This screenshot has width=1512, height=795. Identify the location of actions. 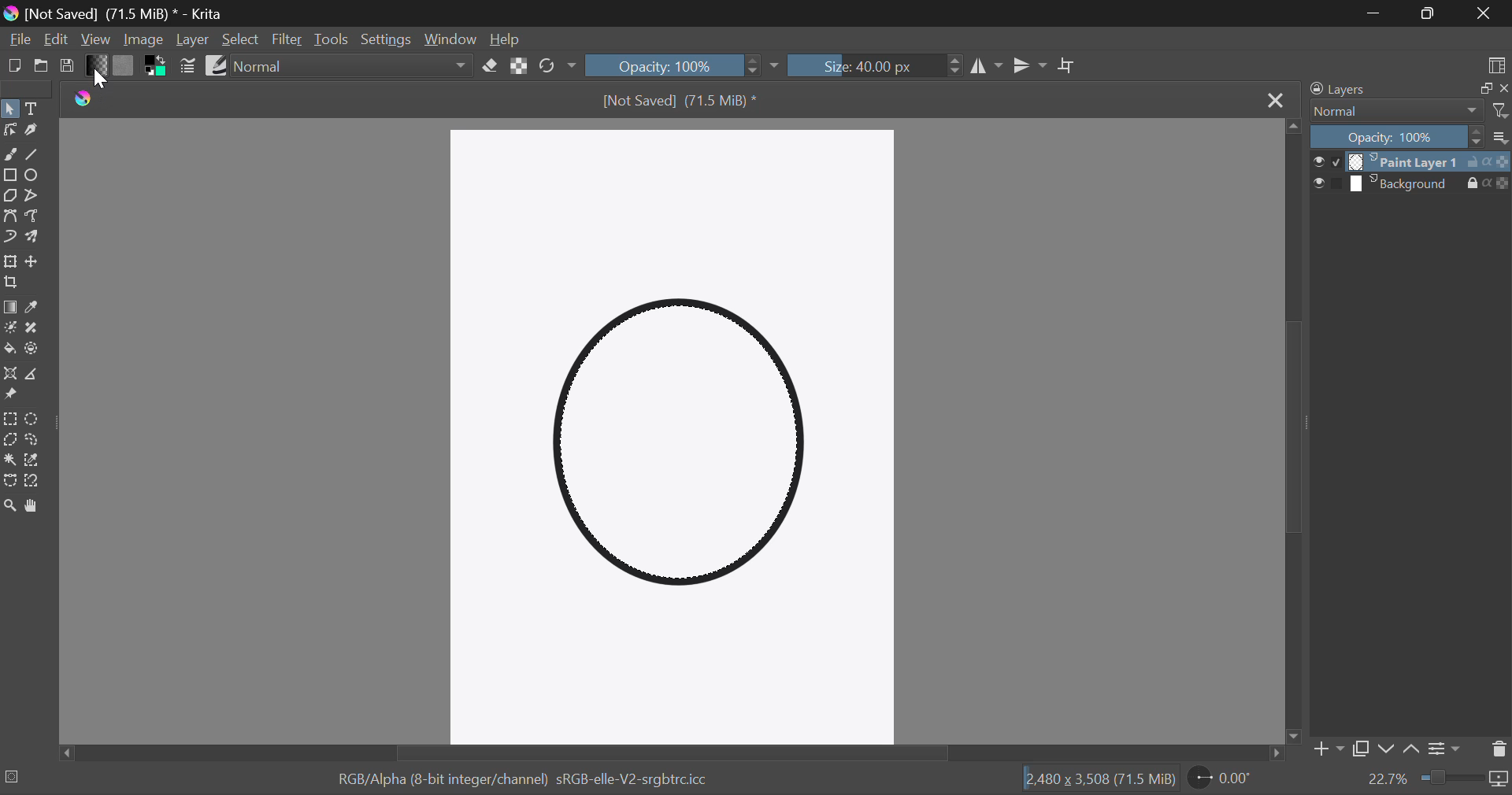
(1488, 183).